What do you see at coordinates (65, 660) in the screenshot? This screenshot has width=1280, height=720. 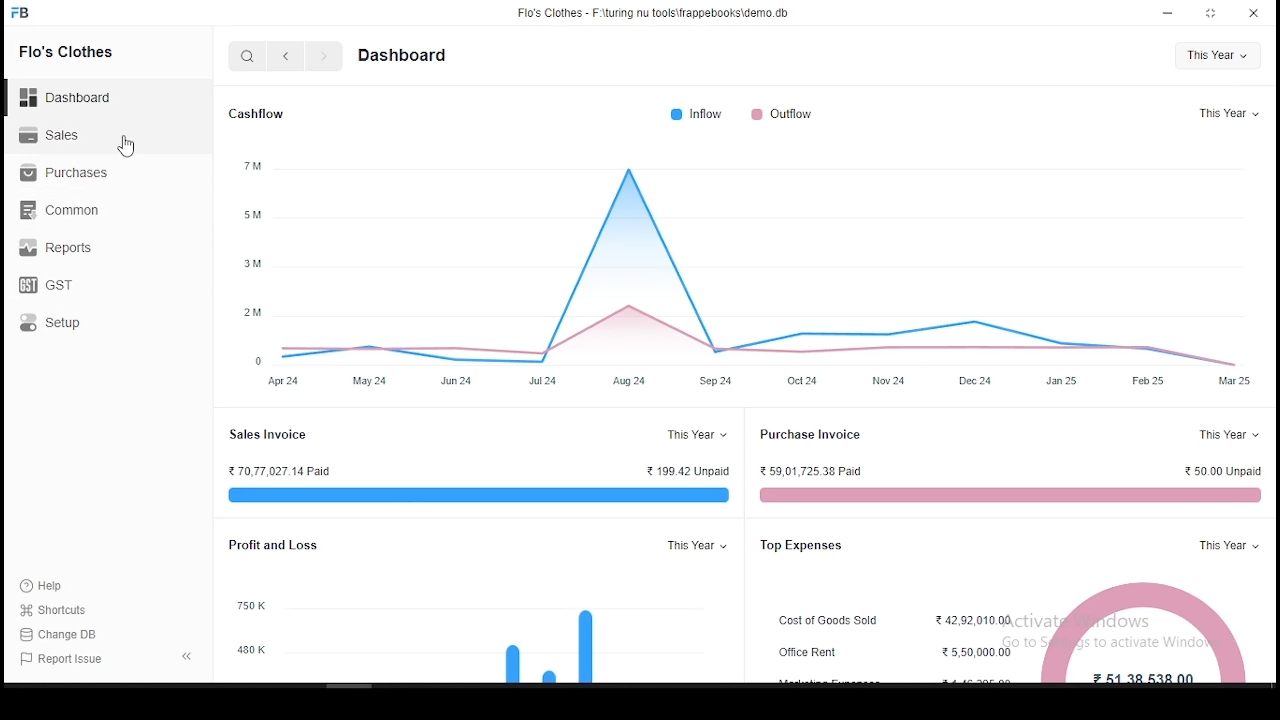 I see `report issues` at bounding box center [65, 660].